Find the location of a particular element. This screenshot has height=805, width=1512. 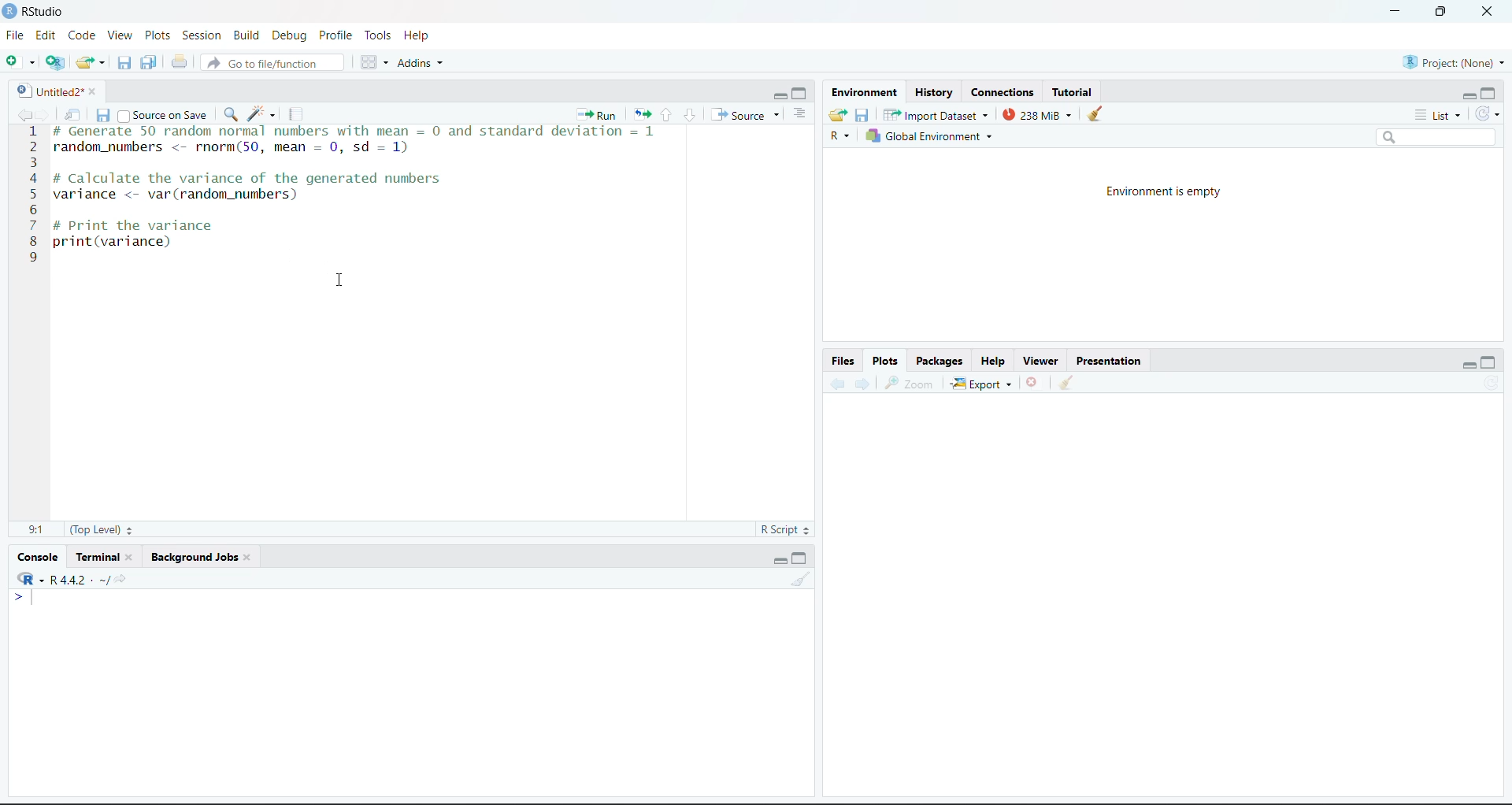

line numbering  is located at coordinates (32, 196).